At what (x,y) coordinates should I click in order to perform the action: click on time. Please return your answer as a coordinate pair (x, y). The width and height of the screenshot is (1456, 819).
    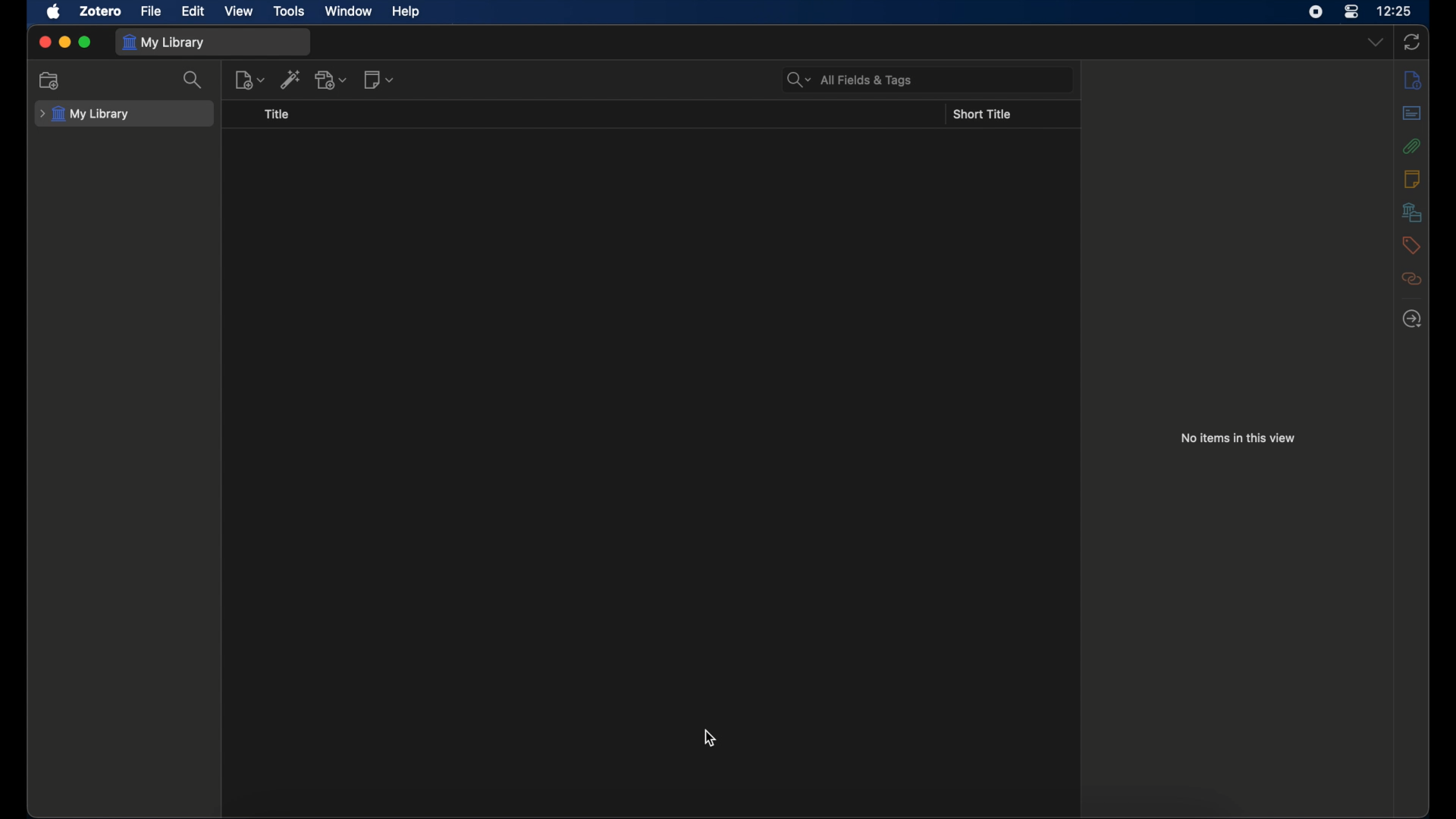
    Looking at the image, I should click on (1395, 11).